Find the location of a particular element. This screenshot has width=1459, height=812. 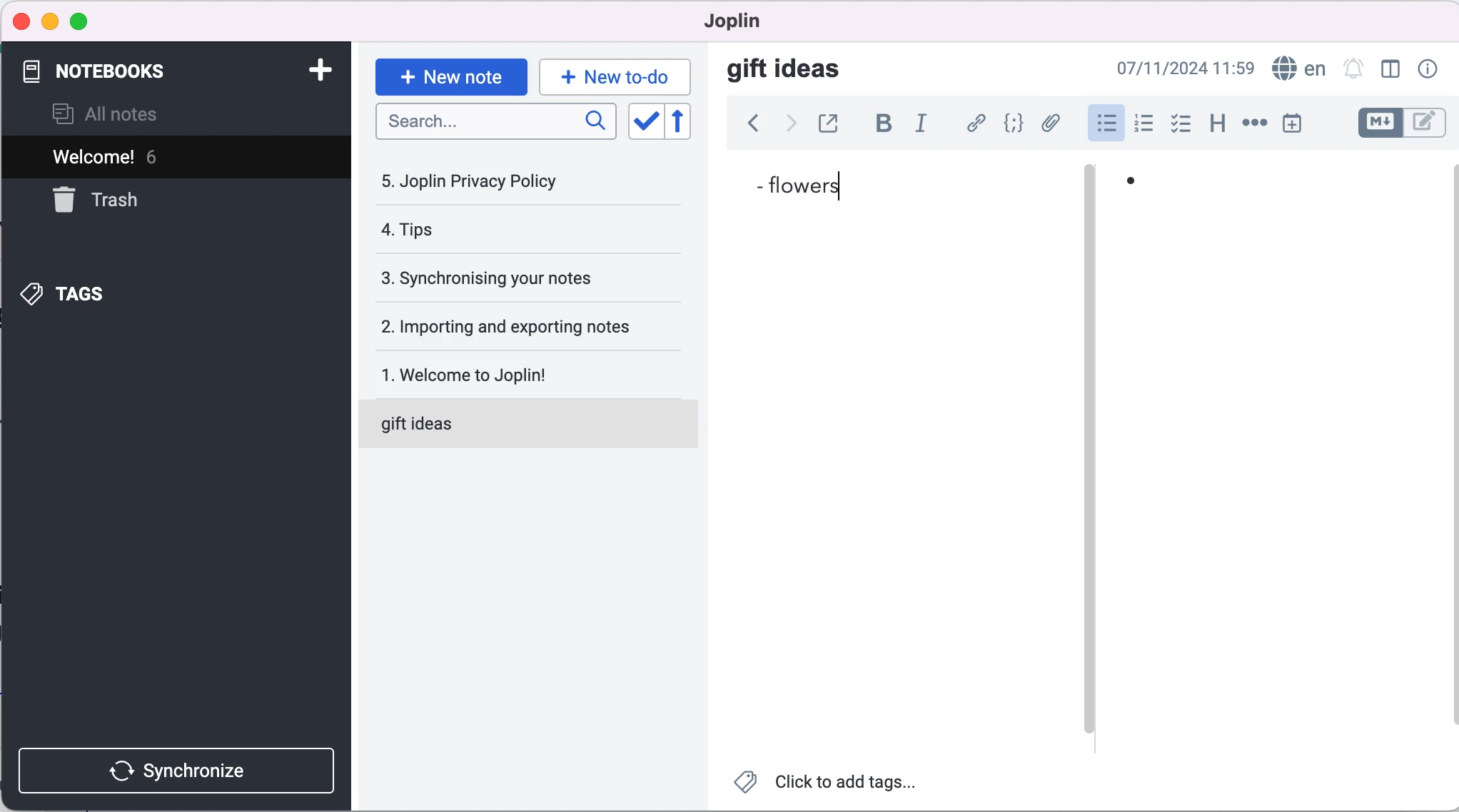

reverse sort order is located at coordinates (682, 122).